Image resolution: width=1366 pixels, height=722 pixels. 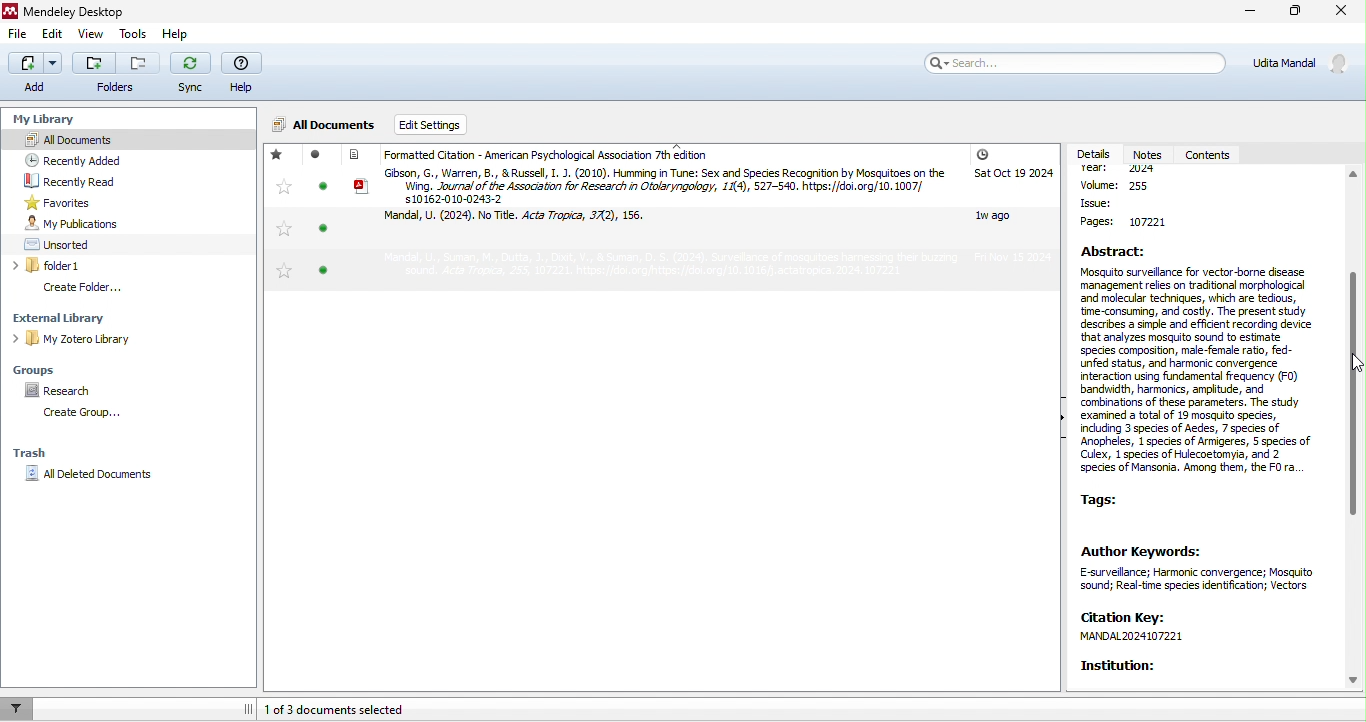 What do you see at coordinates (451, 125) in the screenshot?
I see `edit settings` at bounding box center [451, 125].